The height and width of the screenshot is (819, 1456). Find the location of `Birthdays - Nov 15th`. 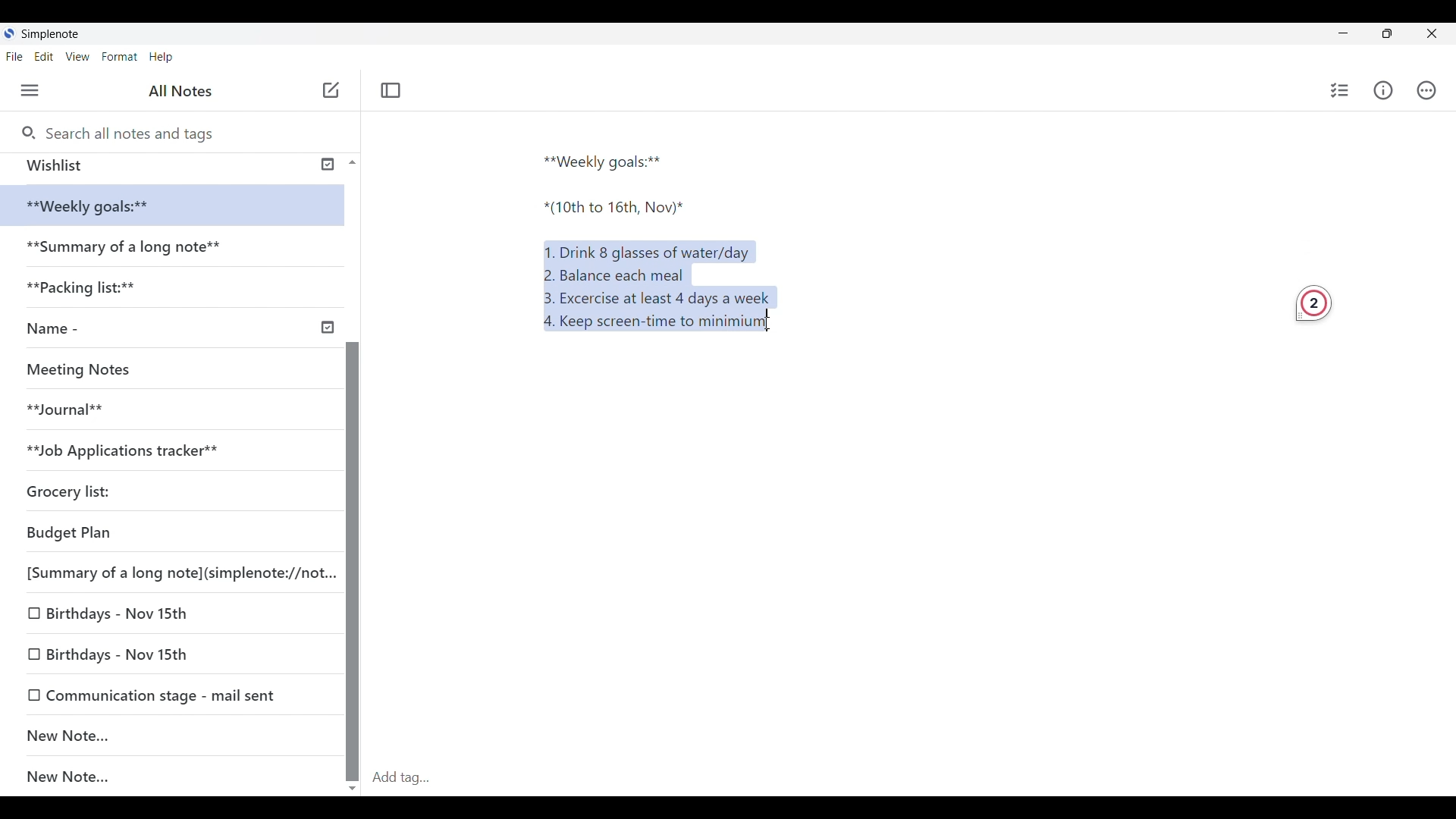

Birthdays - Nov 15th is located at coordinates (165, 651).